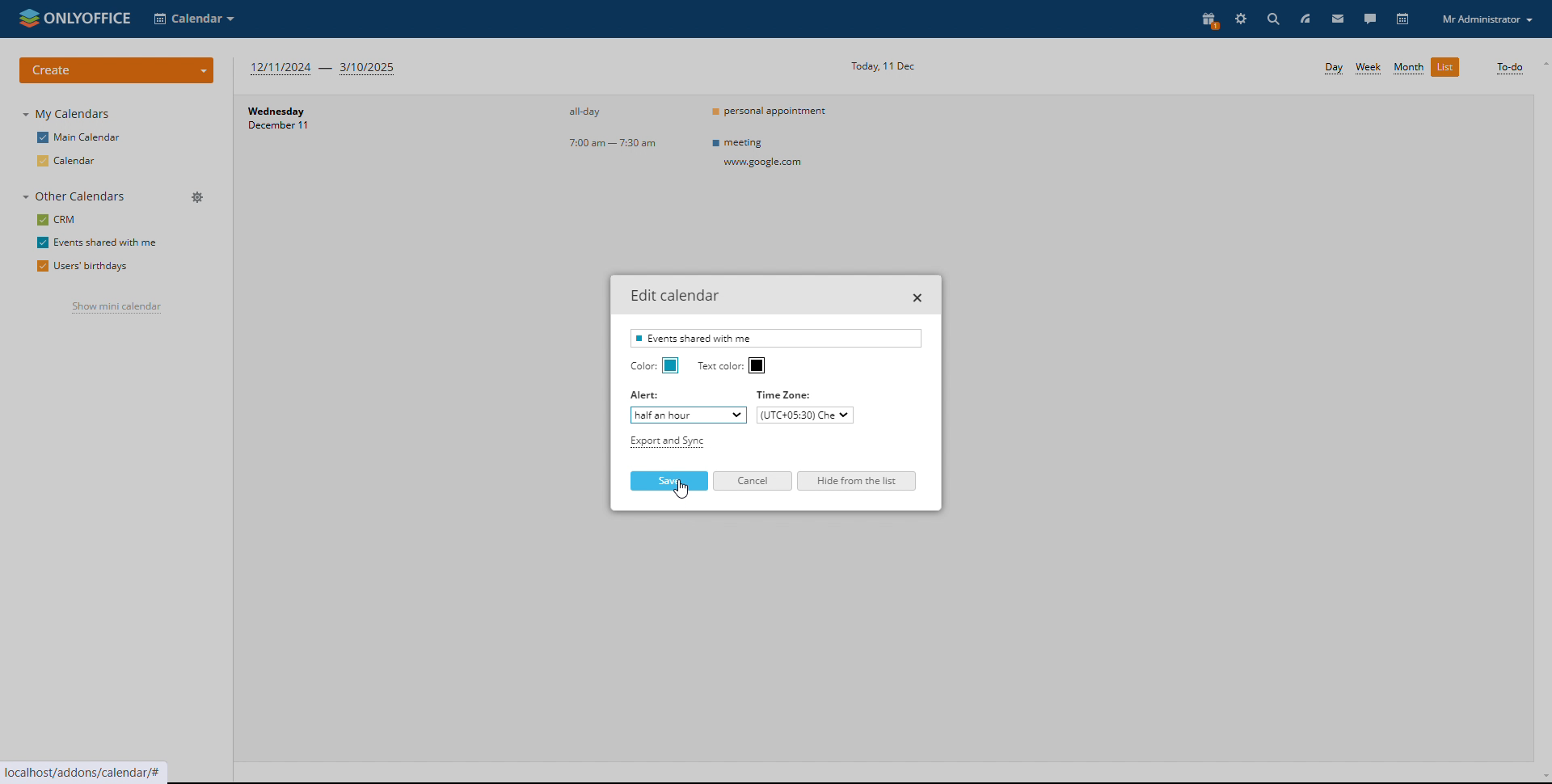 This screenshot has height=784, width=1552. Describe the element at coordinates (689, 415) in the screenshot. I see `set alert` at that location.